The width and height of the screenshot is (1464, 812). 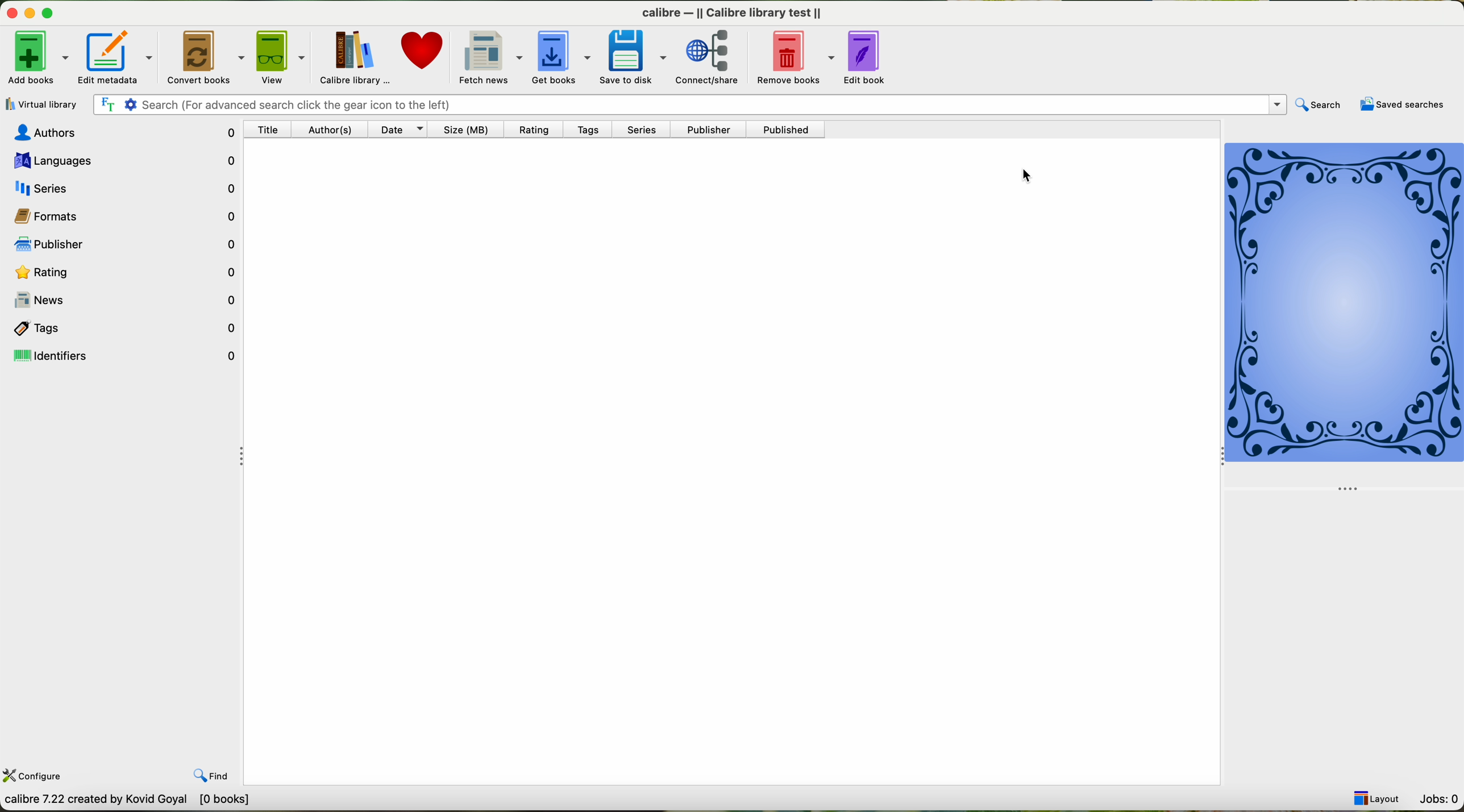 I want to click on languages, so click(x=120, y=159).